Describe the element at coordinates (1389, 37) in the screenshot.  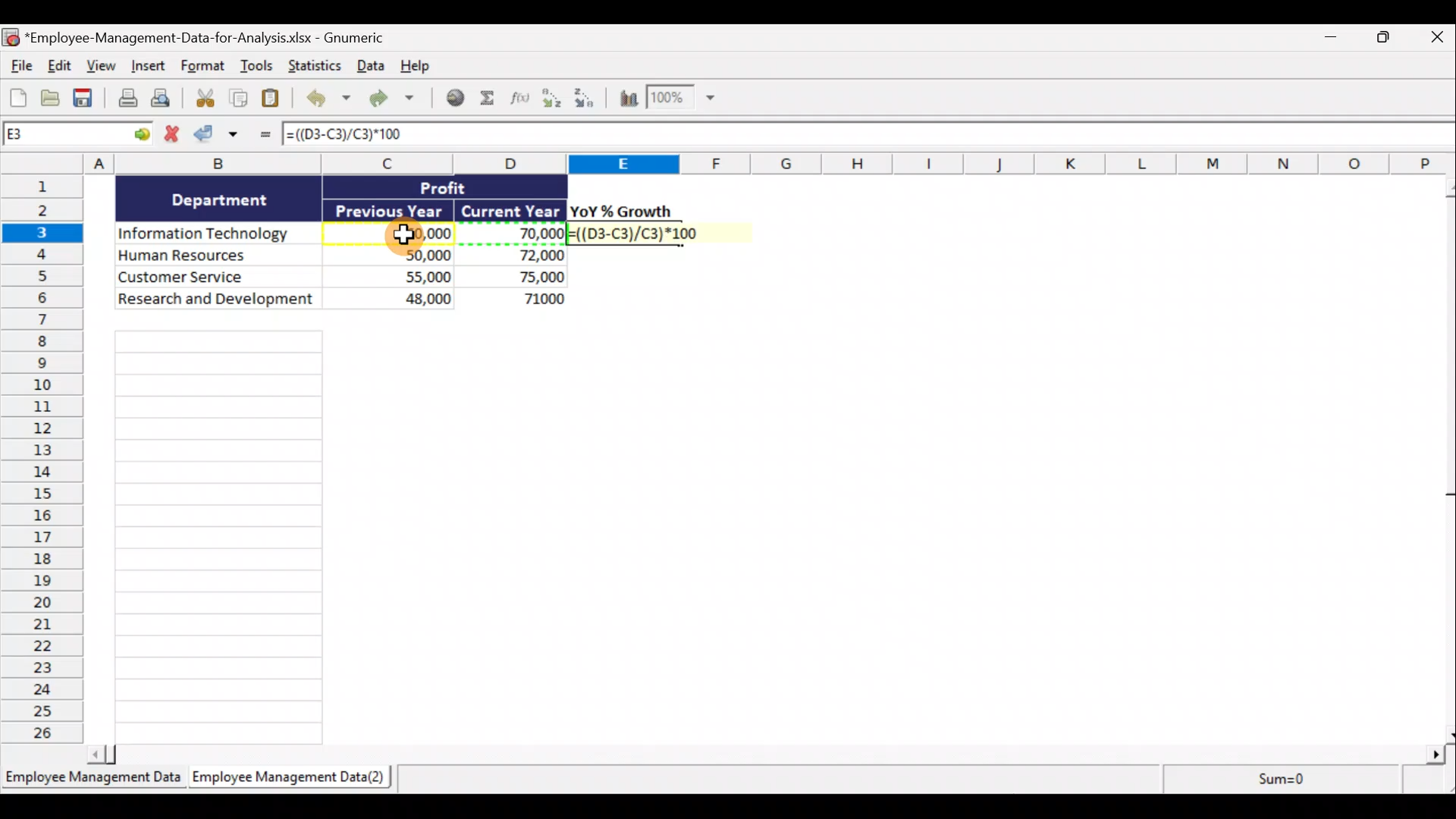
I see `Maximise` at that location.